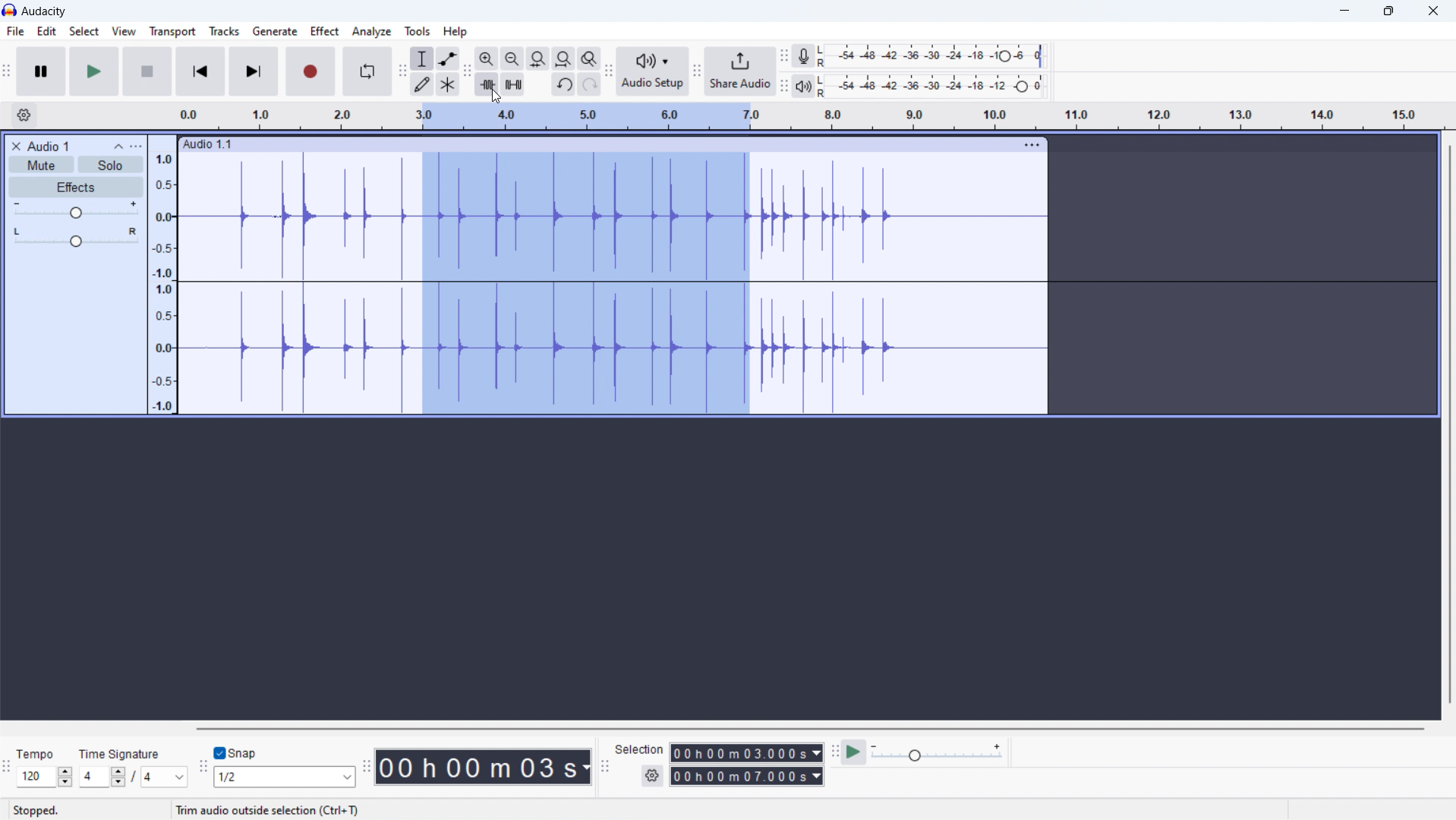  What do you see at coordinates (136, 147) in the screenshot?
I see `view menu` at bounding box center [136, 147].